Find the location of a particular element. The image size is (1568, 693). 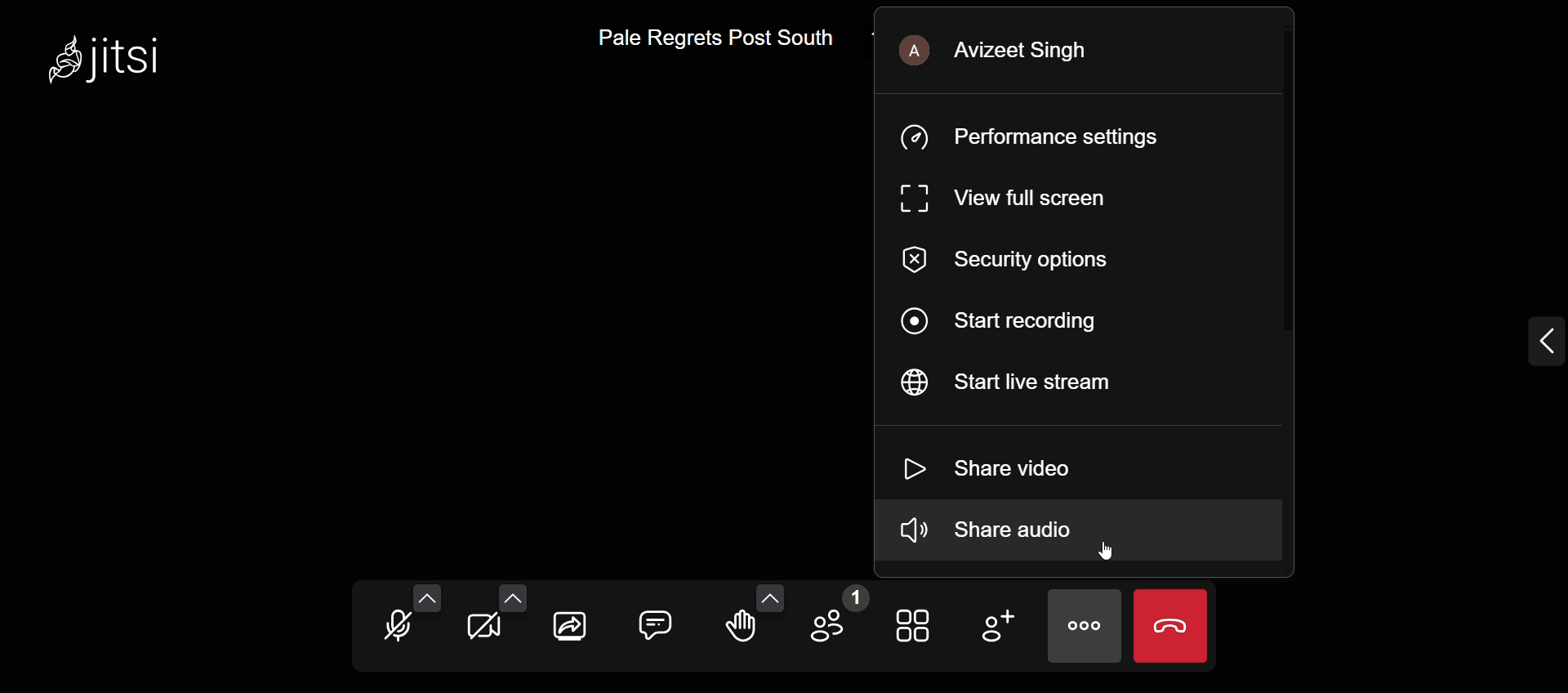

share audio is located at coordinates (1054, 537).